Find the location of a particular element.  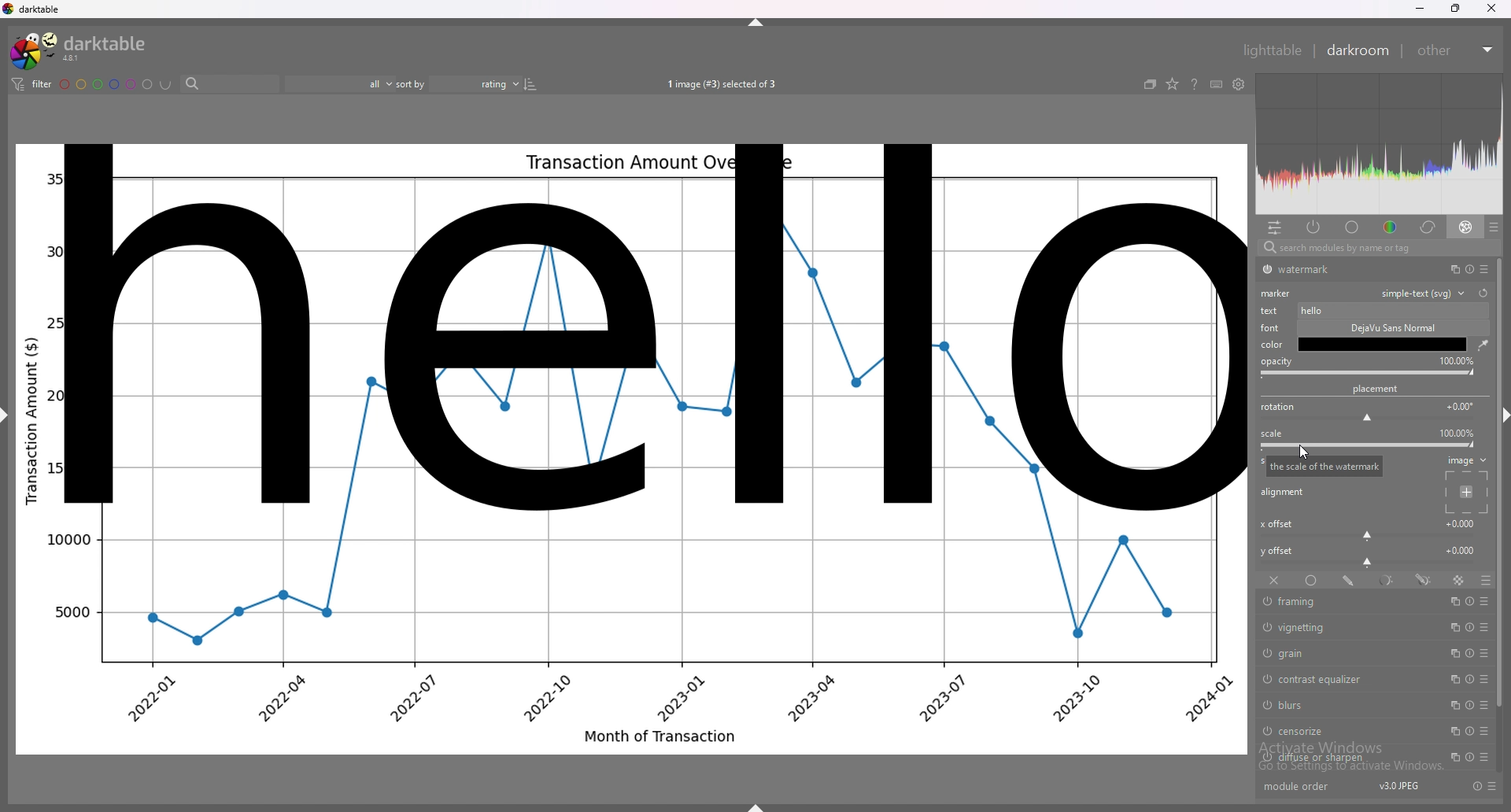

presets is located at coordinates (1484, 269).